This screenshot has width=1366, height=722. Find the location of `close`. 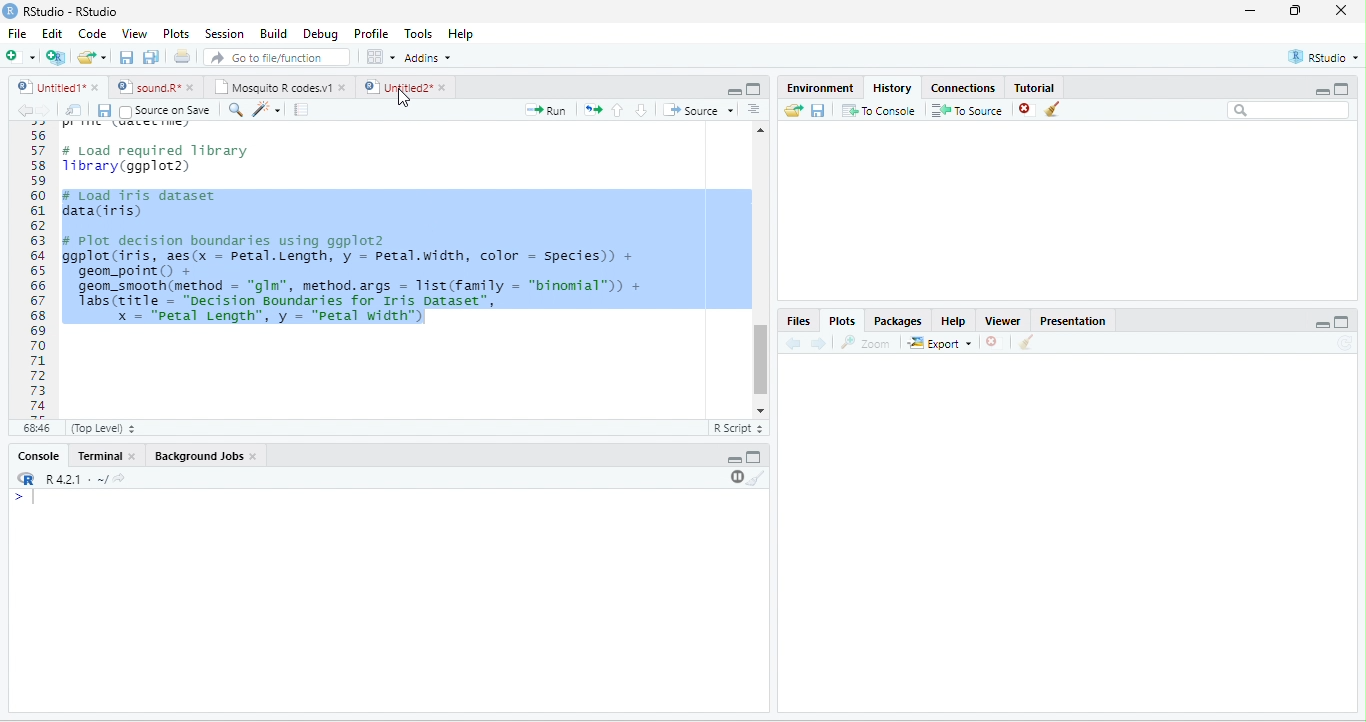

close is located at coordinates (344, 88).